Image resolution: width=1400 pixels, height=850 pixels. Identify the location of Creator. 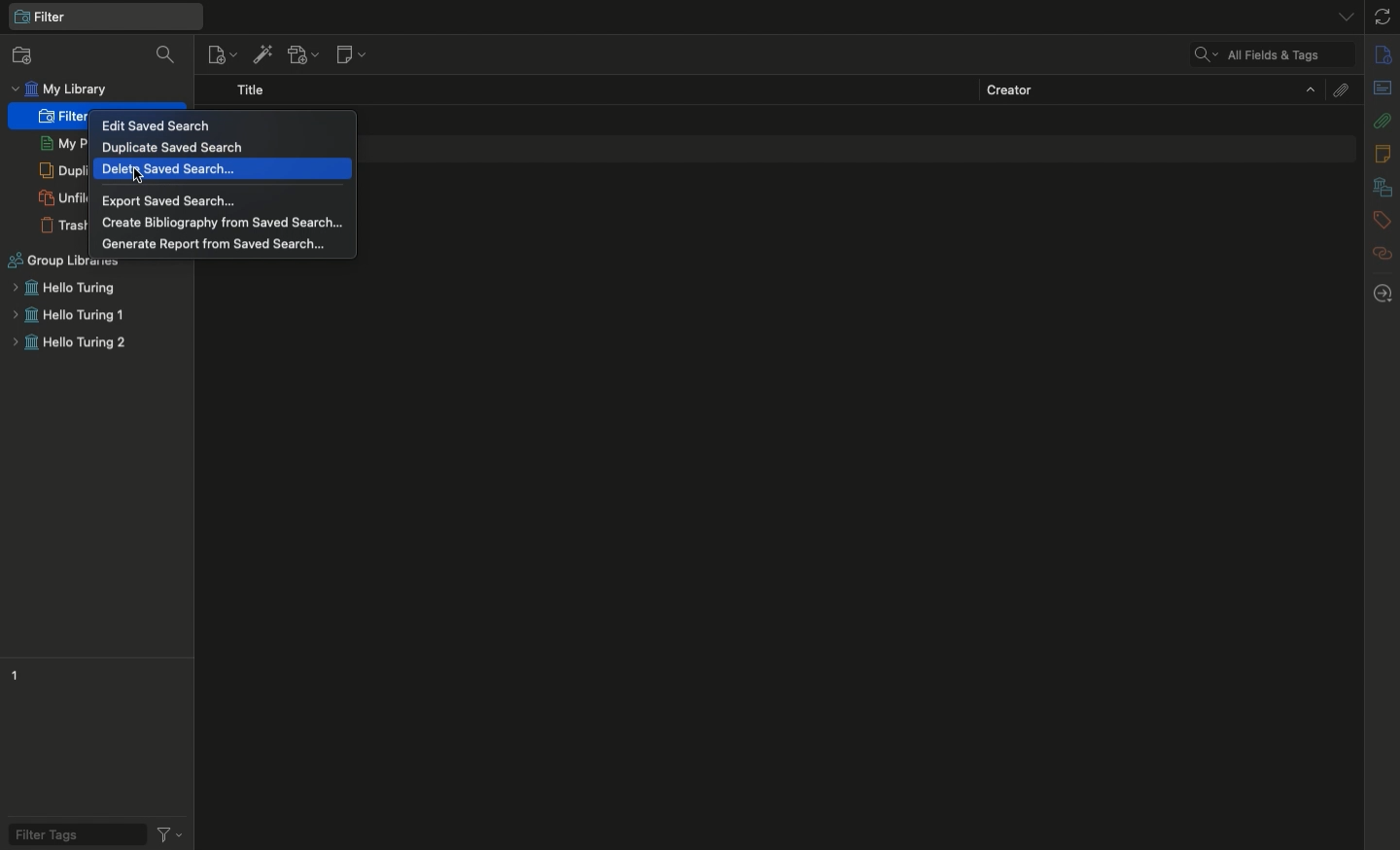
(1150, 89).